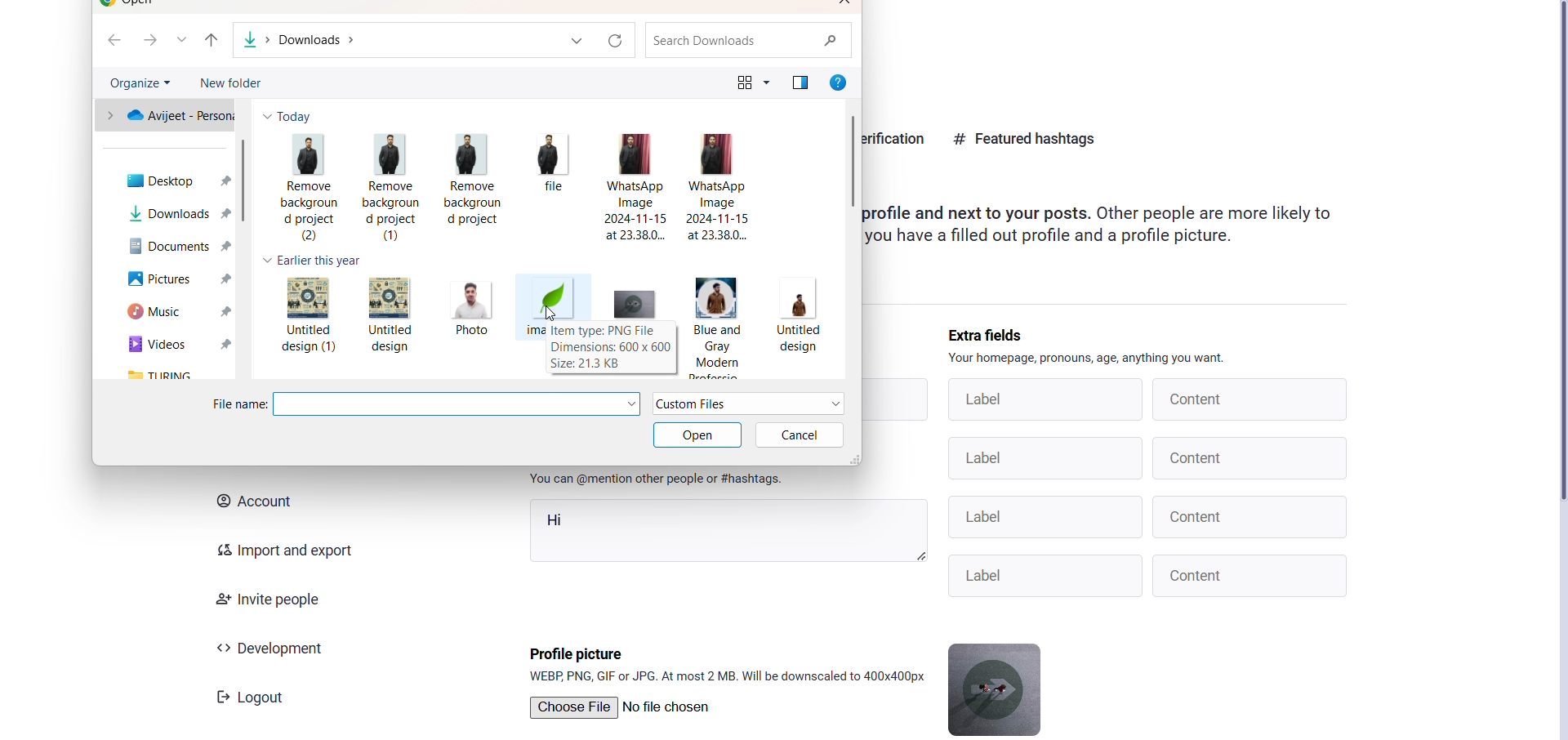 This screenshot has height=740, width=1568. Describe the element at coordinates (273, 647) in the screenshot. I see `development` at that location.